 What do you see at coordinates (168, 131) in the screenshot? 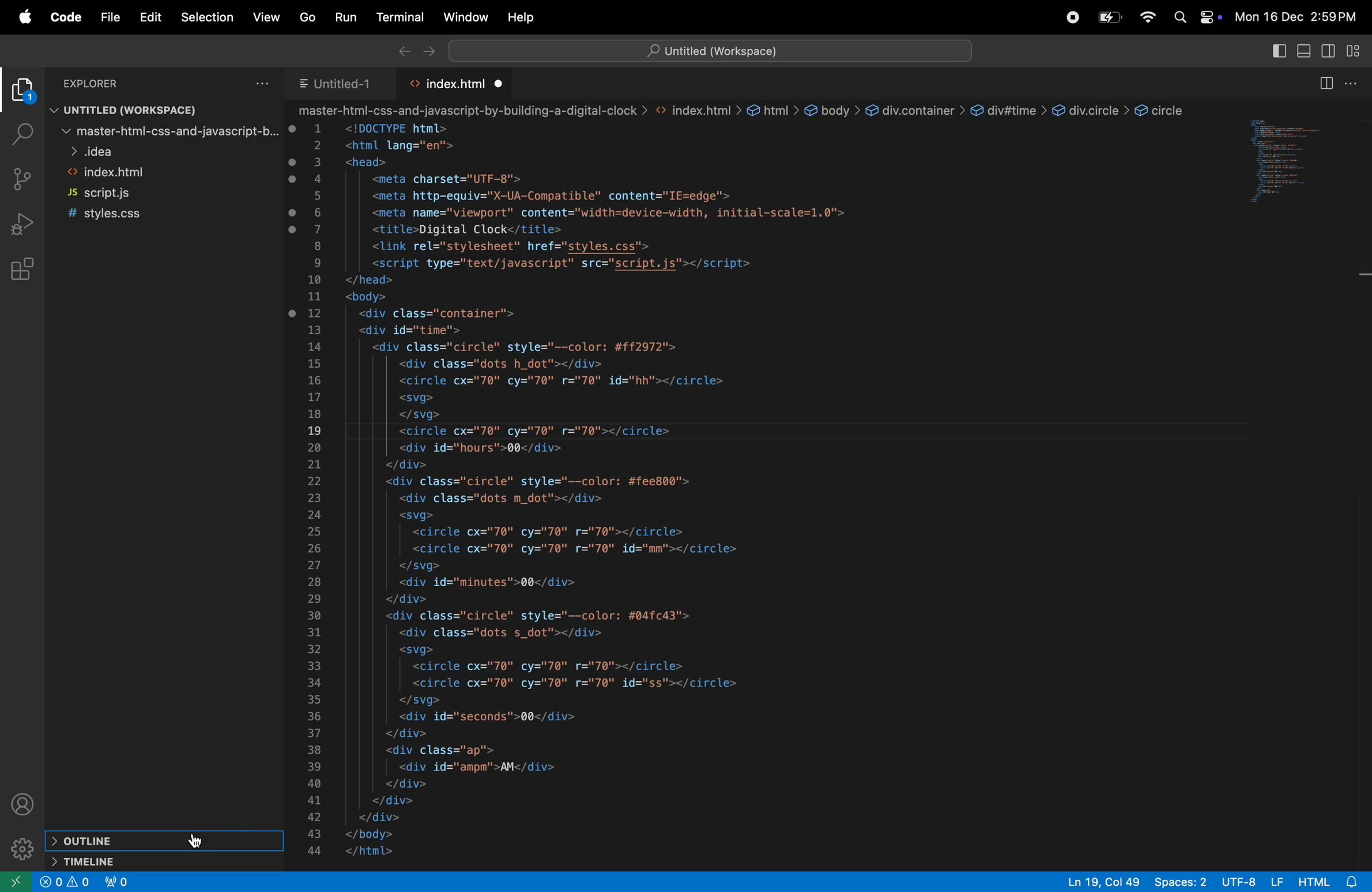
I see `master file` at bounding box center [168, 131].